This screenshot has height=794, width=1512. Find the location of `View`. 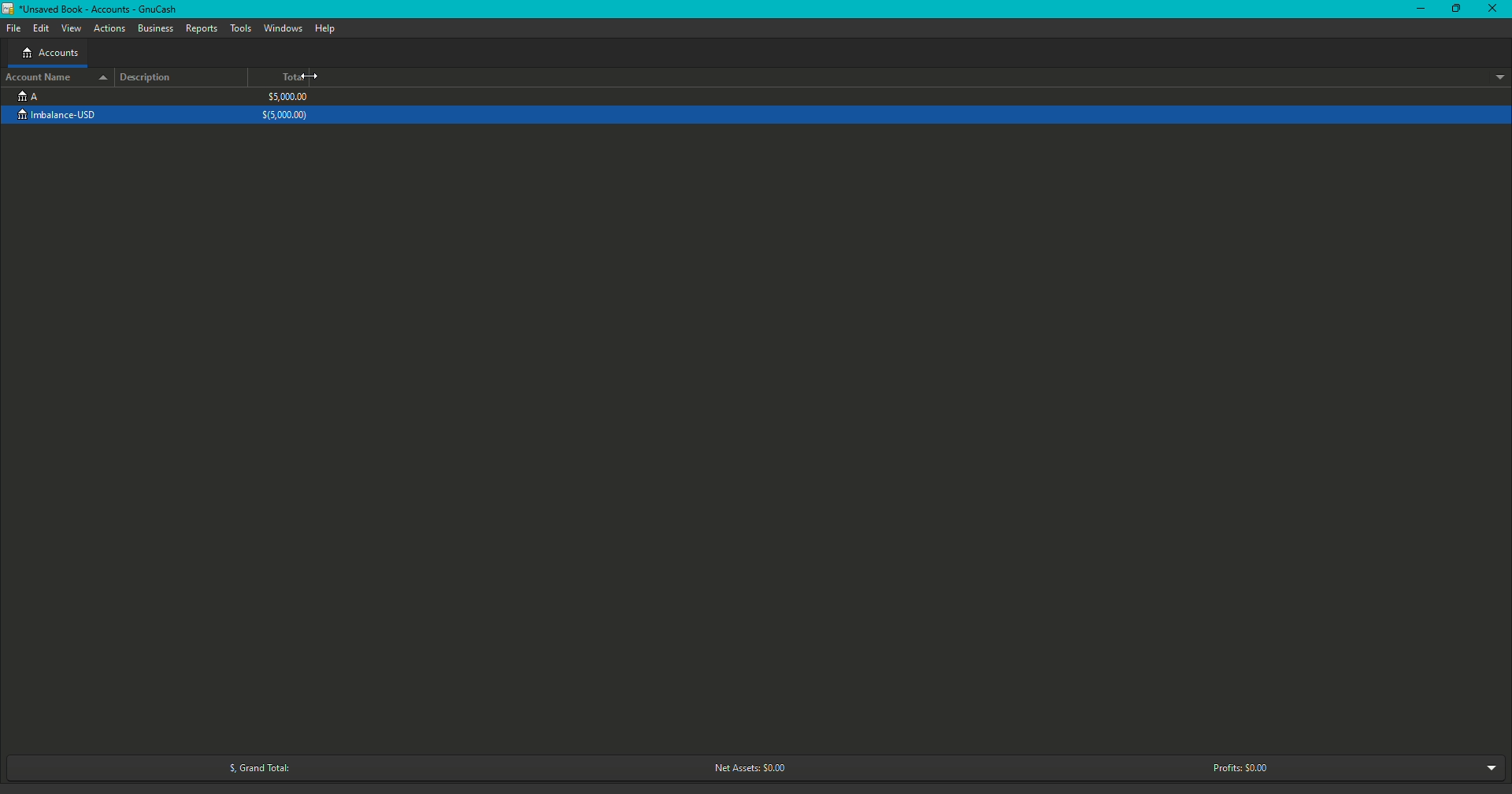

View is located at coordinates (72, 29).